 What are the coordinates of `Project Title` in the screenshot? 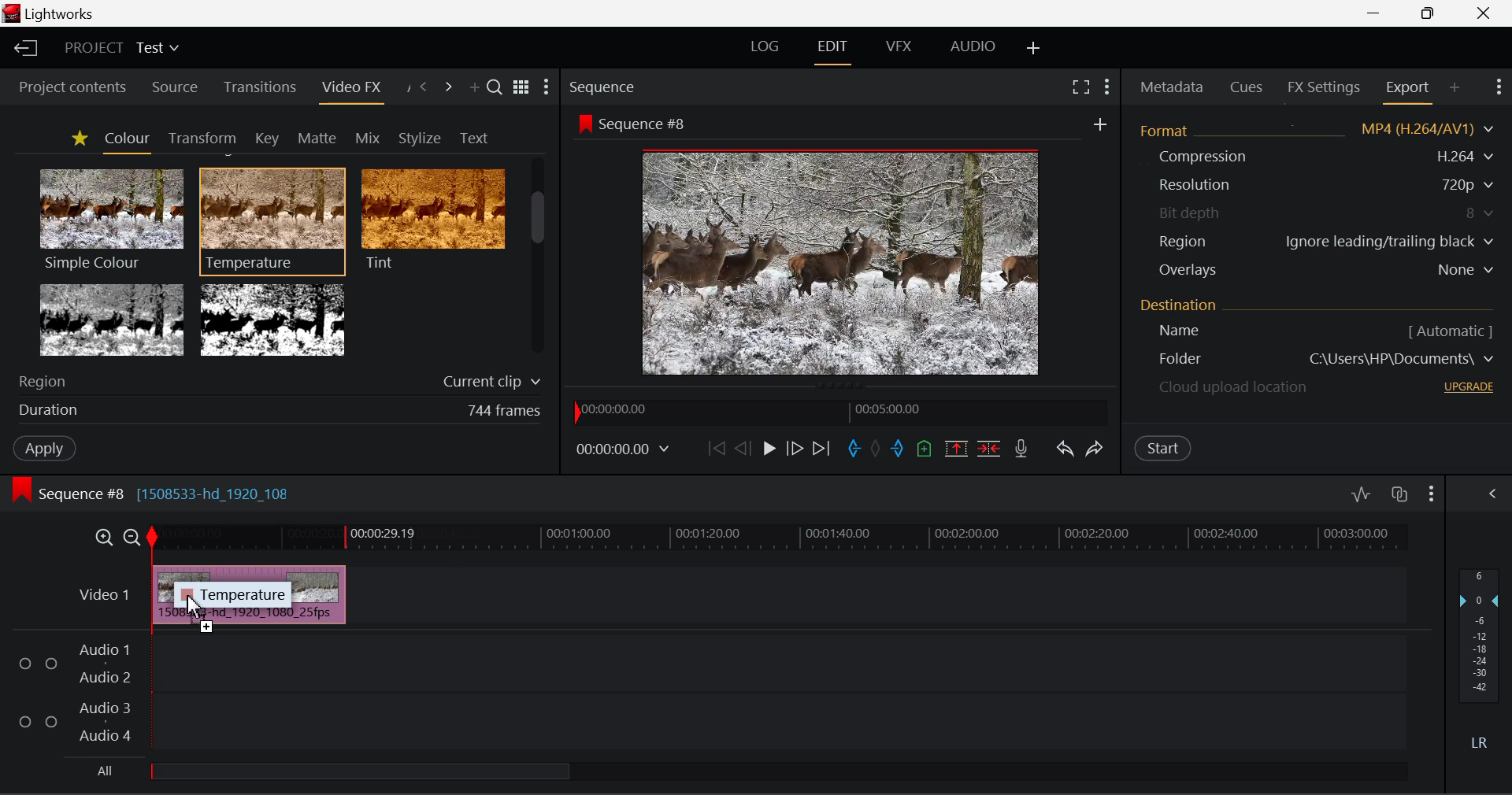 It's located at (121, 46).